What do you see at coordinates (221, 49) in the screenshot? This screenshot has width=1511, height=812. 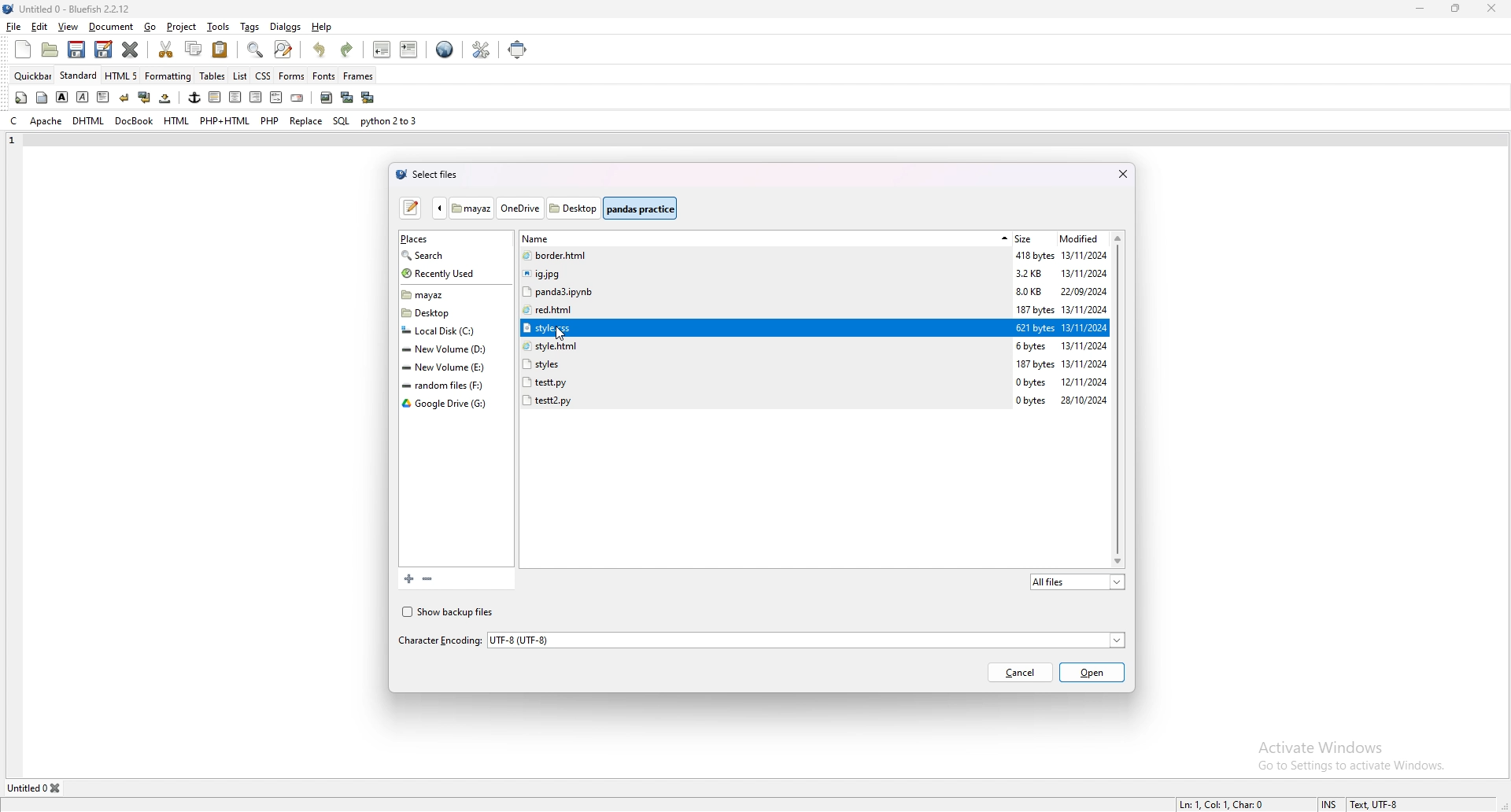 I see `paste` at bounding box center [221, 49].